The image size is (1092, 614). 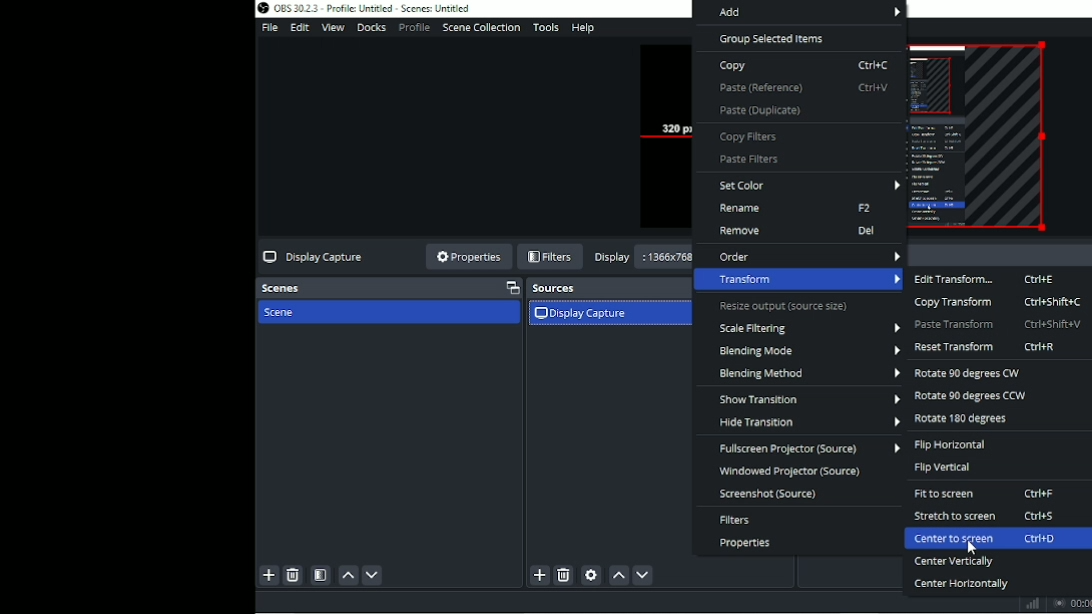 I want to click on Properties, so click(x=468, y=256).